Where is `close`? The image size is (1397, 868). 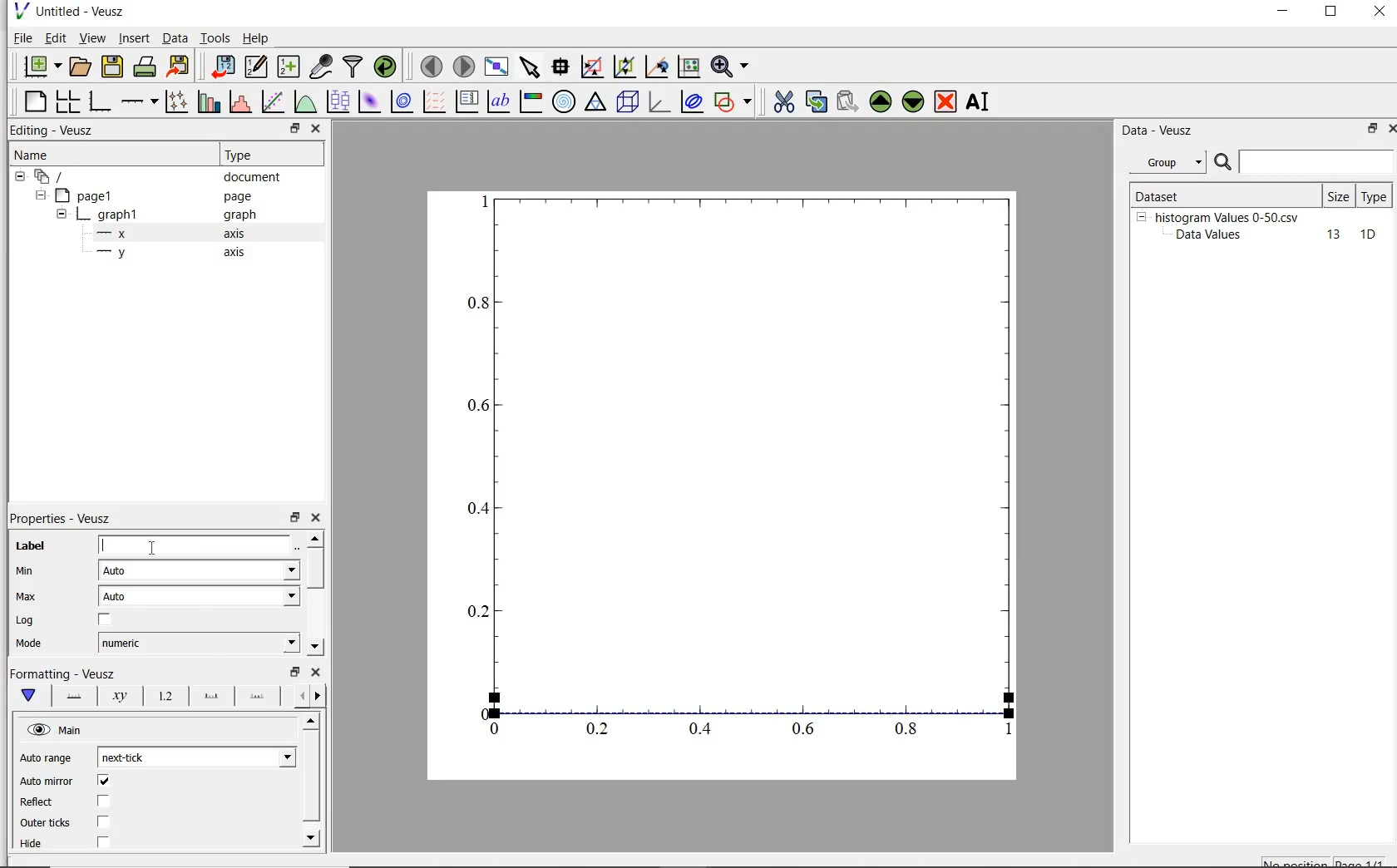
close is located at coordinates (317, 129).